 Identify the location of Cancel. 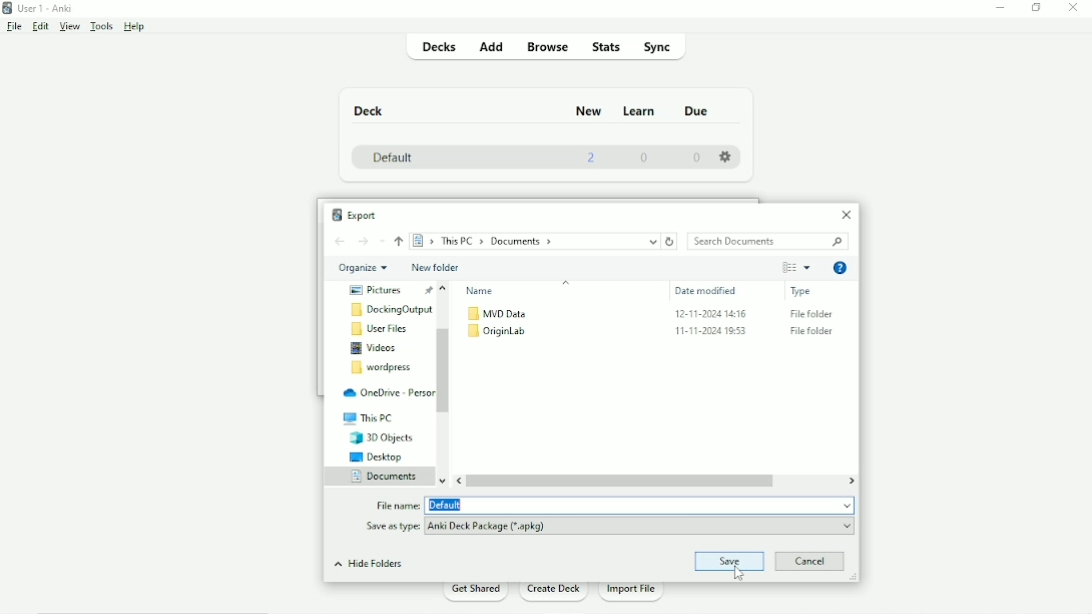
(812, 562).